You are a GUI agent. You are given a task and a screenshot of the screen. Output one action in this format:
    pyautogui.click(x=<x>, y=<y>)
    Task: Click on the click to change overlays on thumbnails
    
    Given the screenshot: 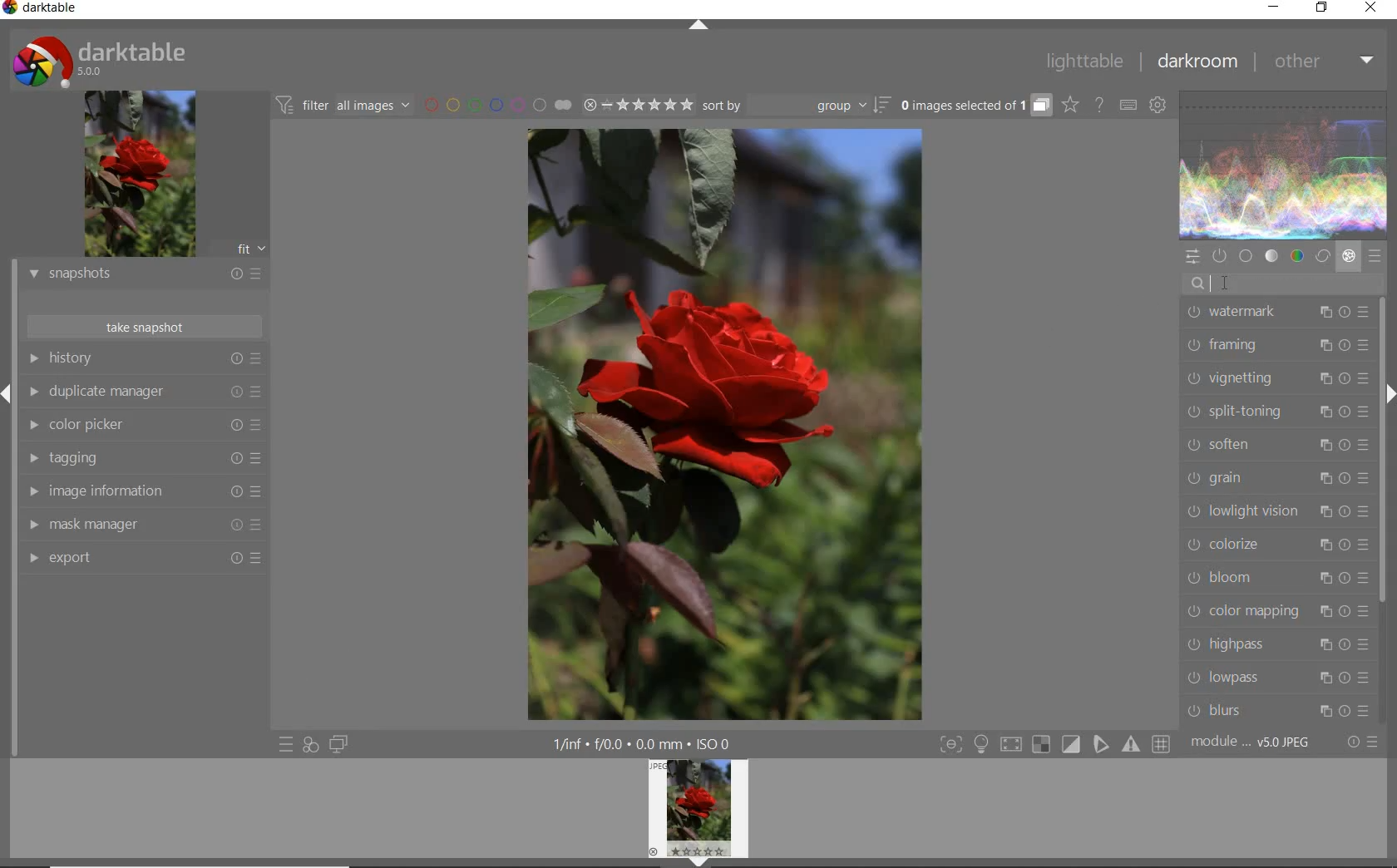 What is the action you would take?
    pyautogui.click(x=1068, y=104)
    